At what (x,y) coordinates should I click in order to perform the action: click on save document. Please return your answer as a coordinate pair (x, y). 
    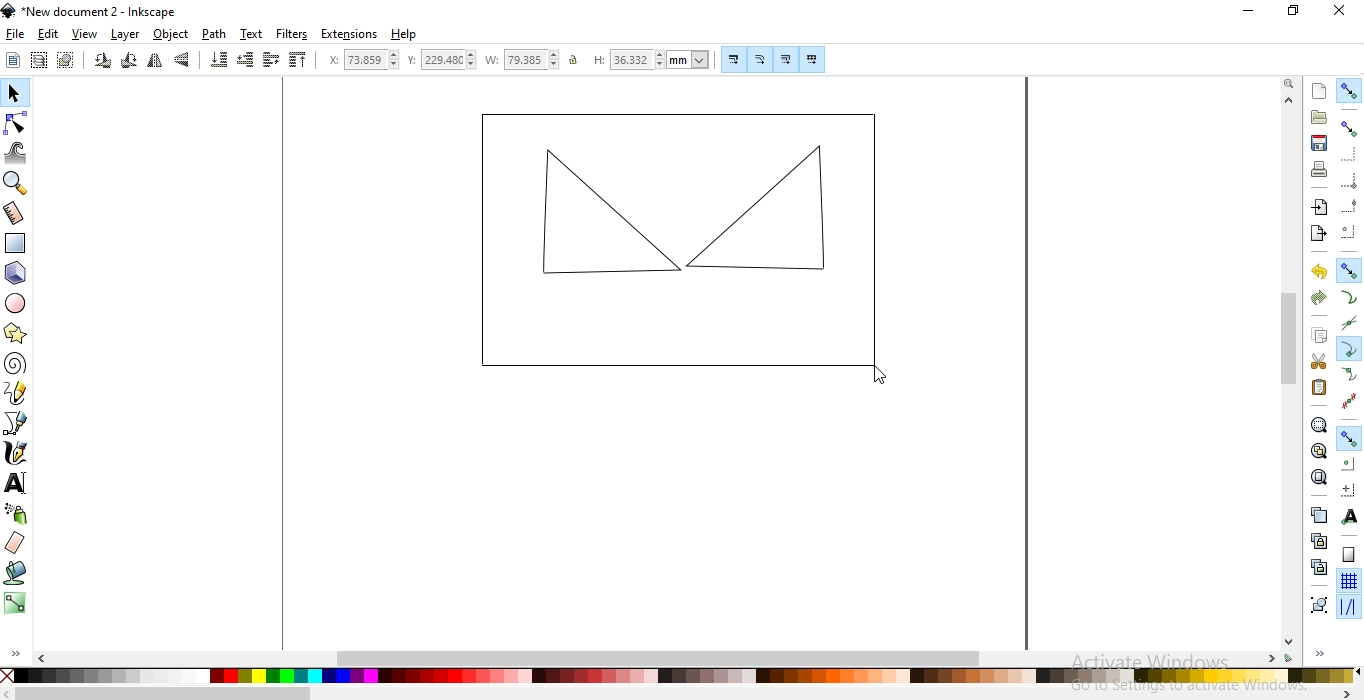
    Looking at the image, I should click on (1320, 143).